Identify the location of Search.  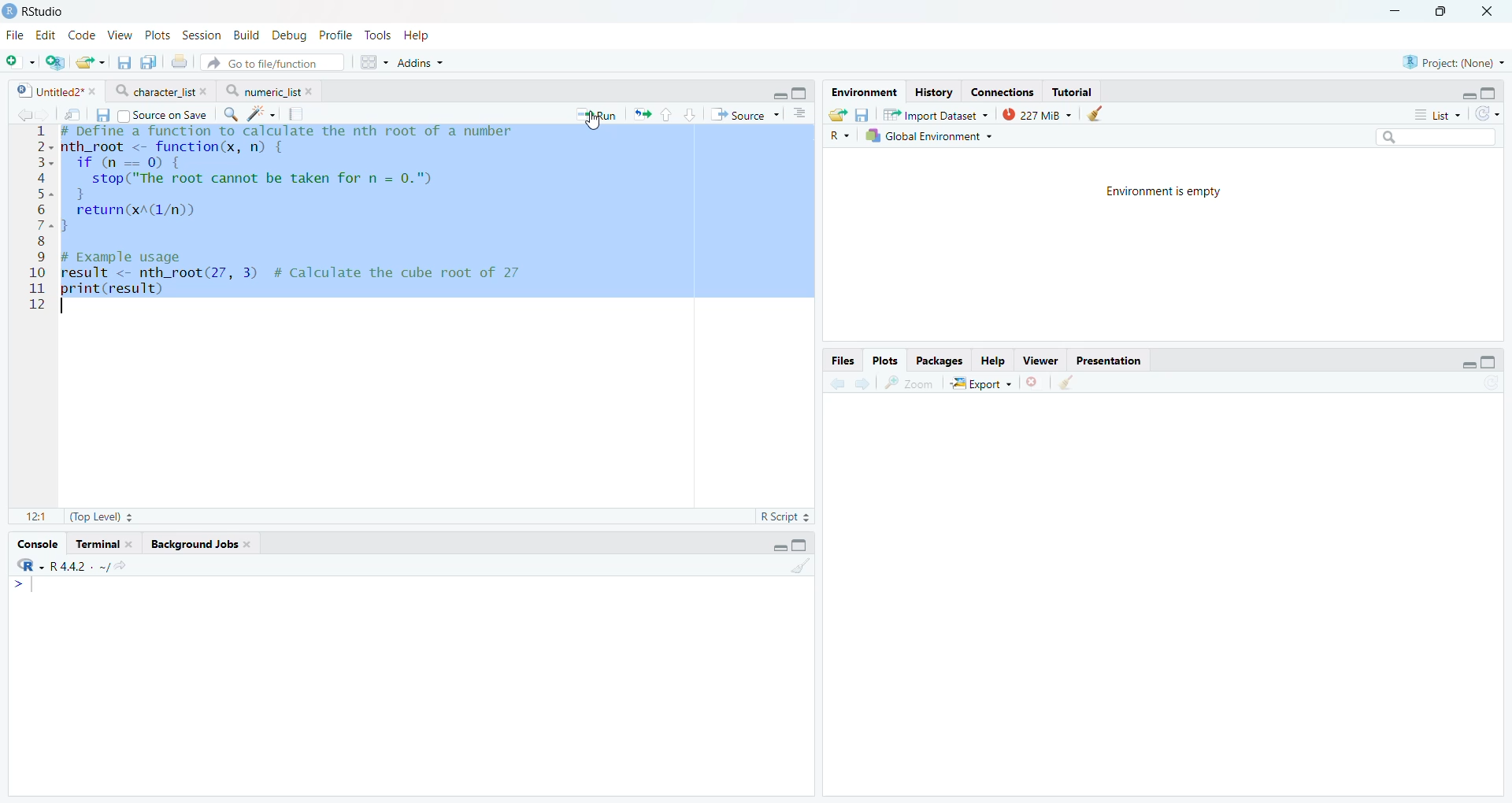
(1434, 137).